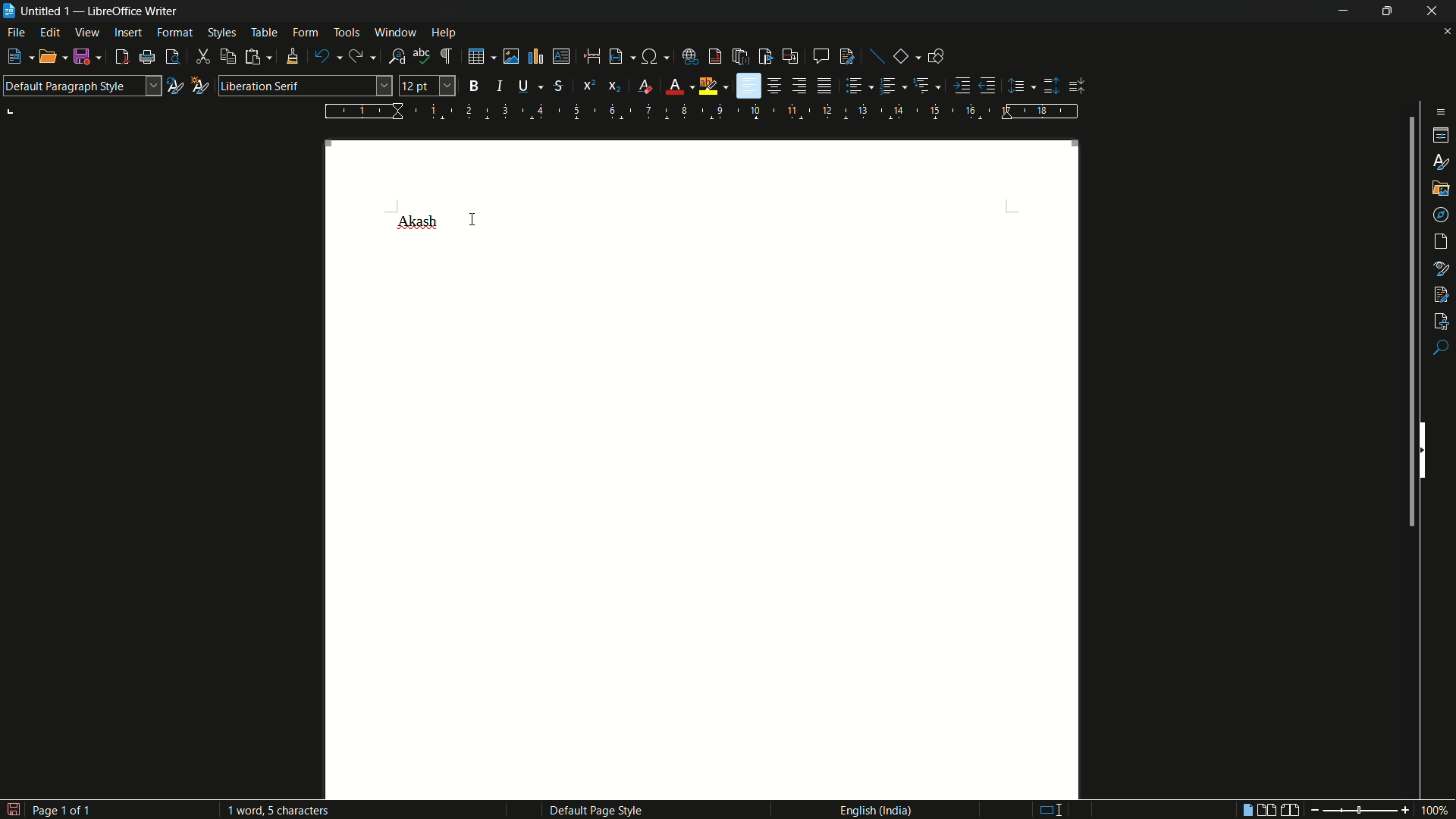 This screenshot has height=819, width=1456. What do you see at coordinates (748, 86) in the screenshot?
I see `align left` at bounding box center [748, 86].